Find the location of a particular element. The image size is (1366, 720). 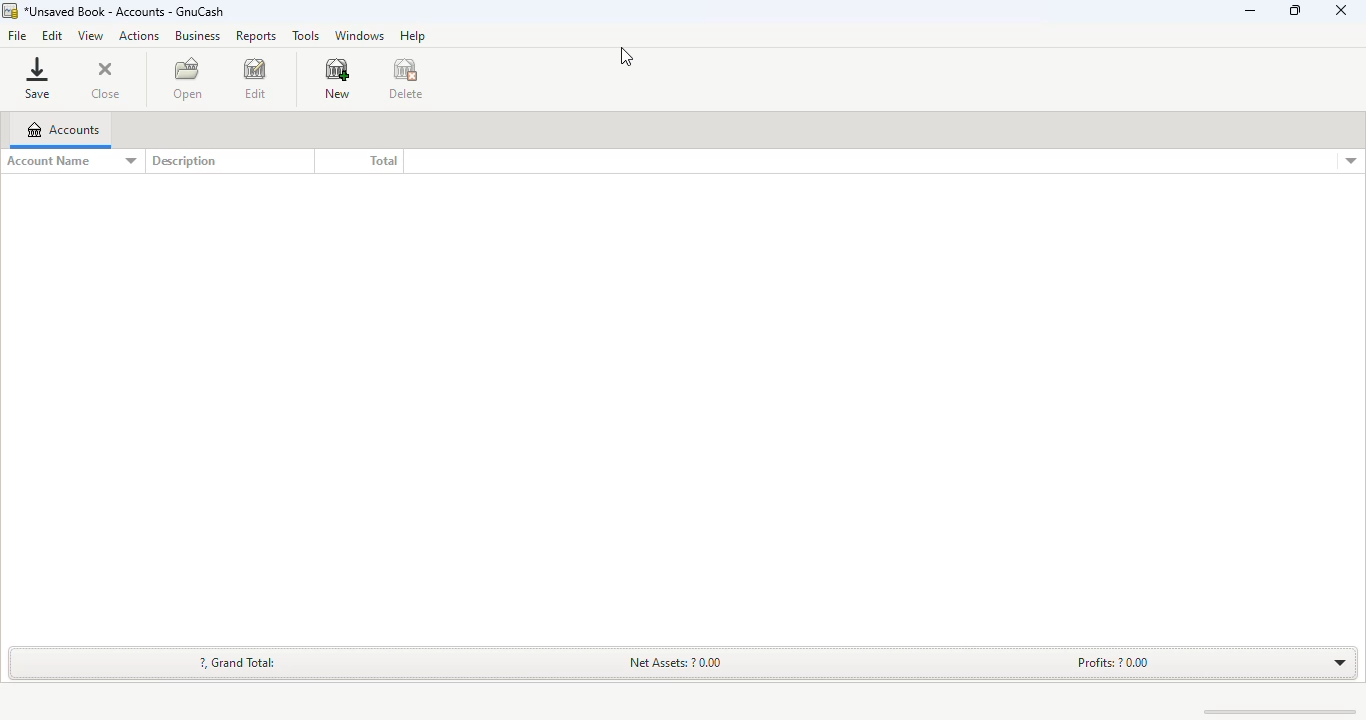

maximize is located at coordinates (1295, 10).